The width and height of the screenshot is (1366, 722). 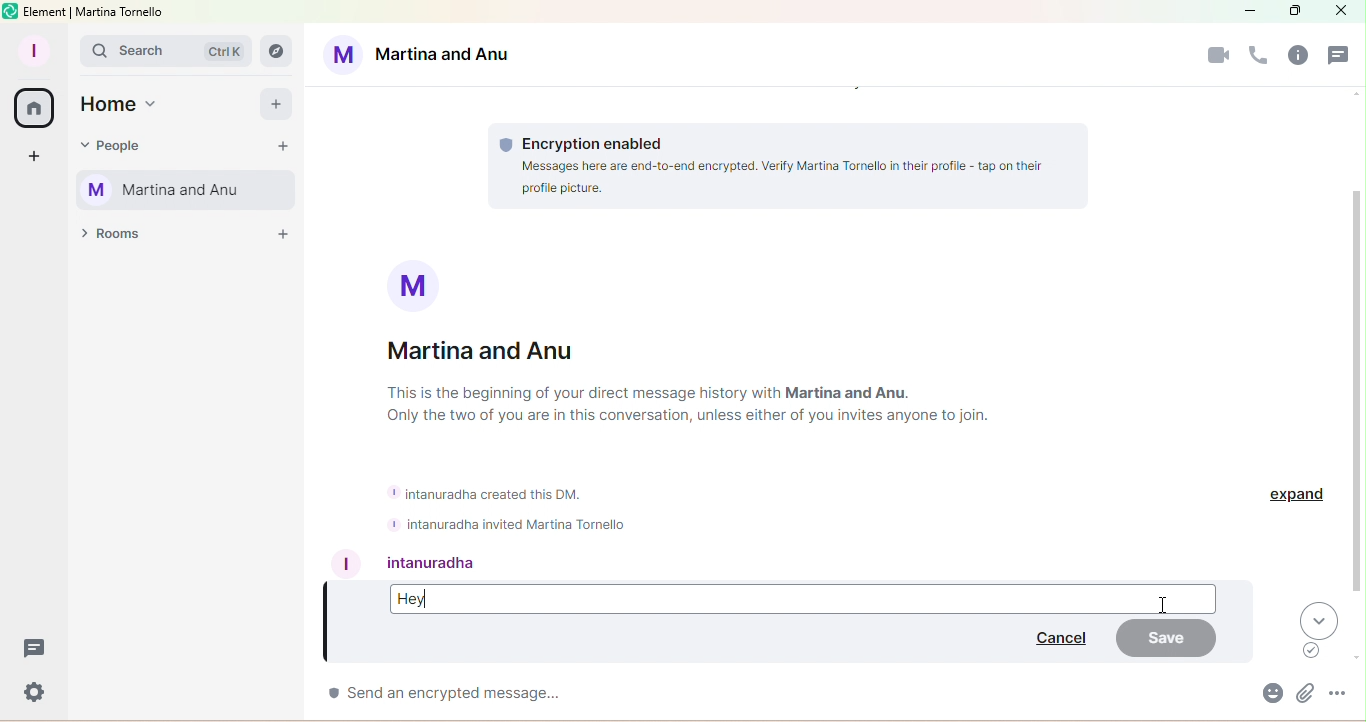 I want to click on Call, so click(x=1260, y=56).